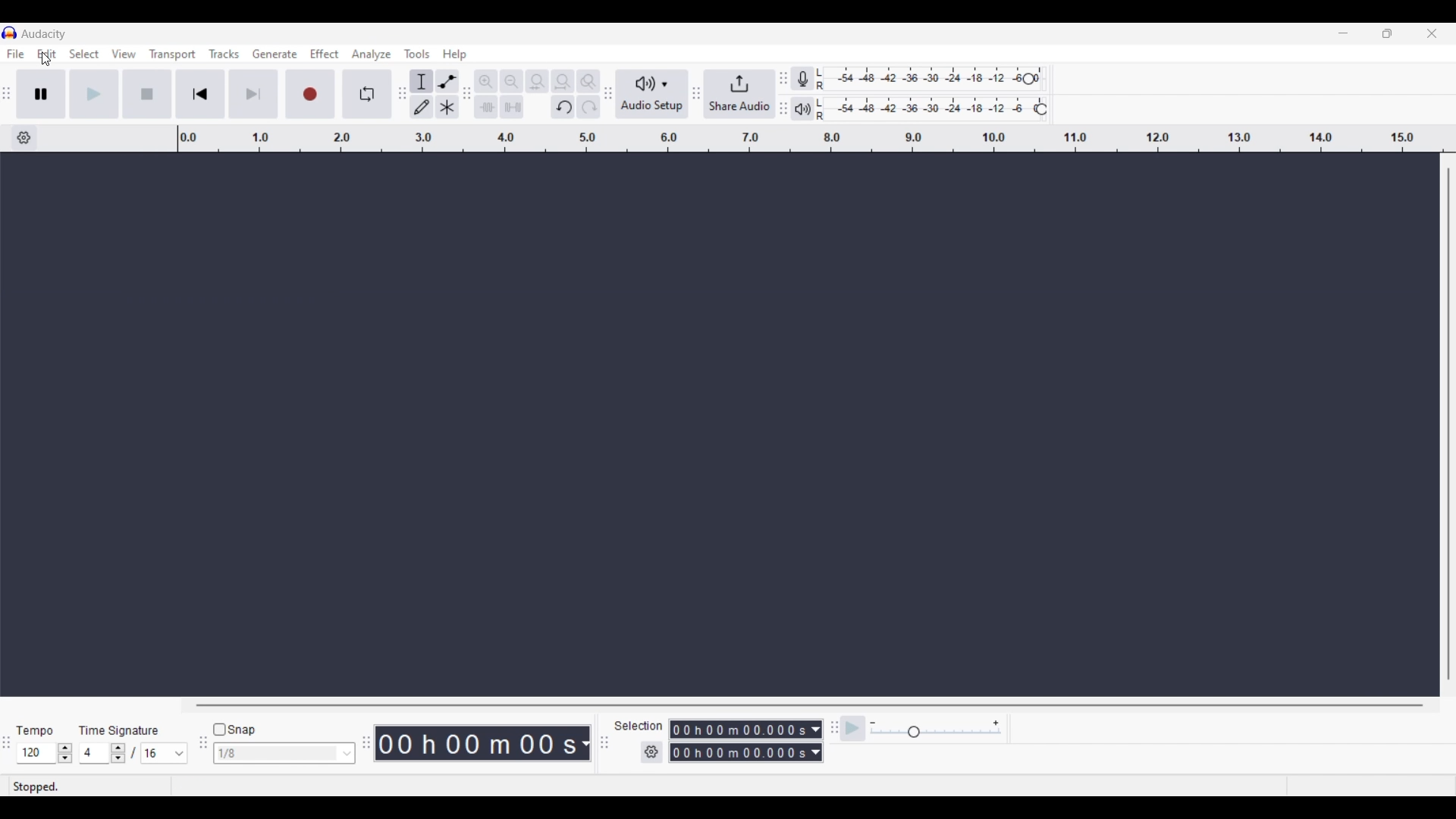 Image resolution: width=1456 pixels, height=819 pixels. What do you see at coordinates (348, 754) in the screenshot?
I see `Snap options to choose from` at bounding box center [348, 754].